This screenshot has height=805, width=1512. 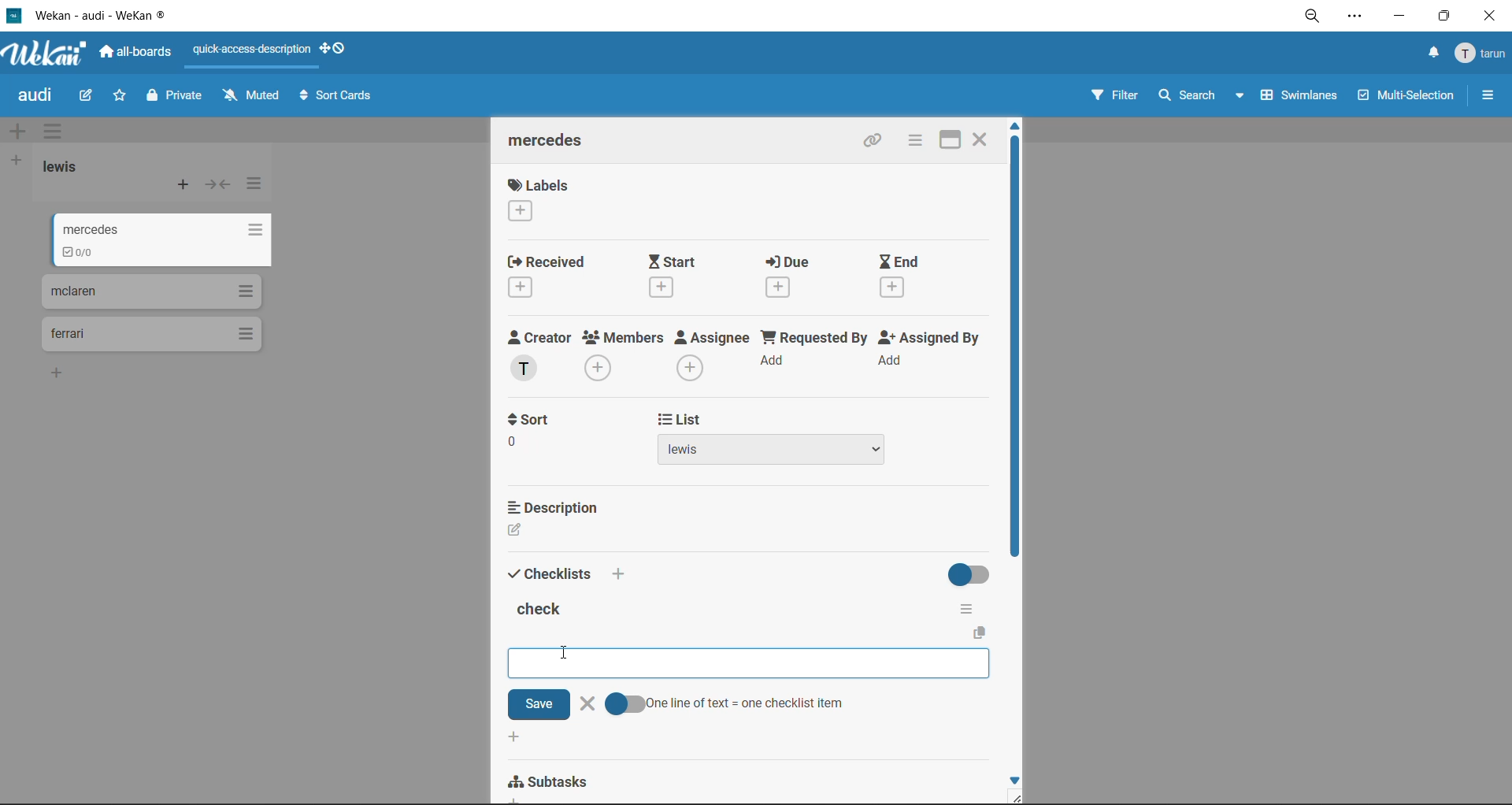 What do you see at coordinates (799, 280) in the screenshot?
I see `due` at bounding box center [799, 280].